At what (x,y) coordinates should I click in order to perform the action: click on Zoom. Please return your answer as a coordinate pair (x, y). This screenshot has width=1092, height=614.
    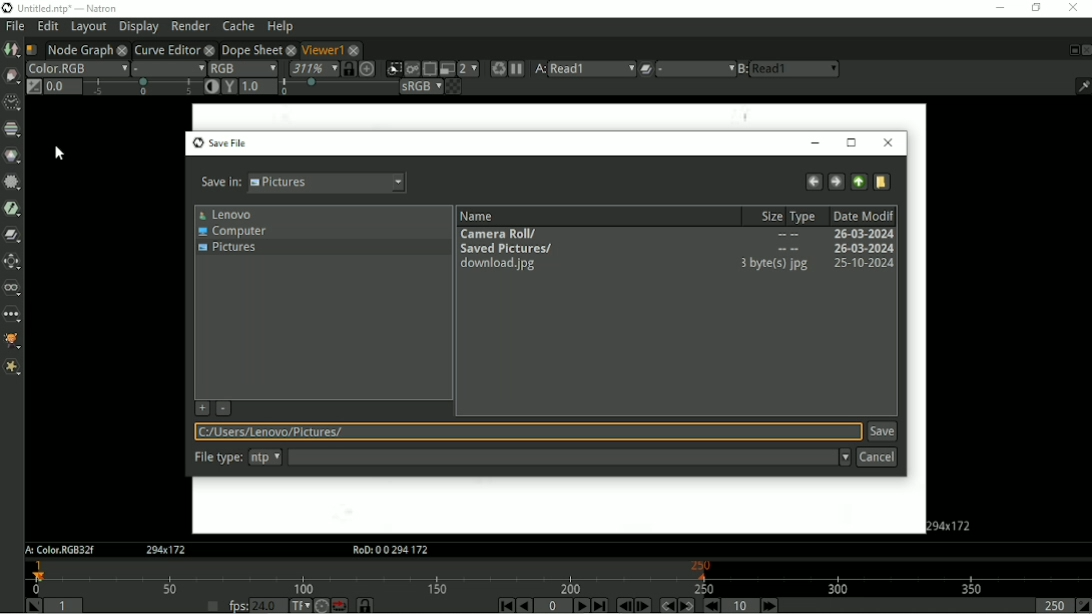
    Looking at the image, I should click on (313, 68).